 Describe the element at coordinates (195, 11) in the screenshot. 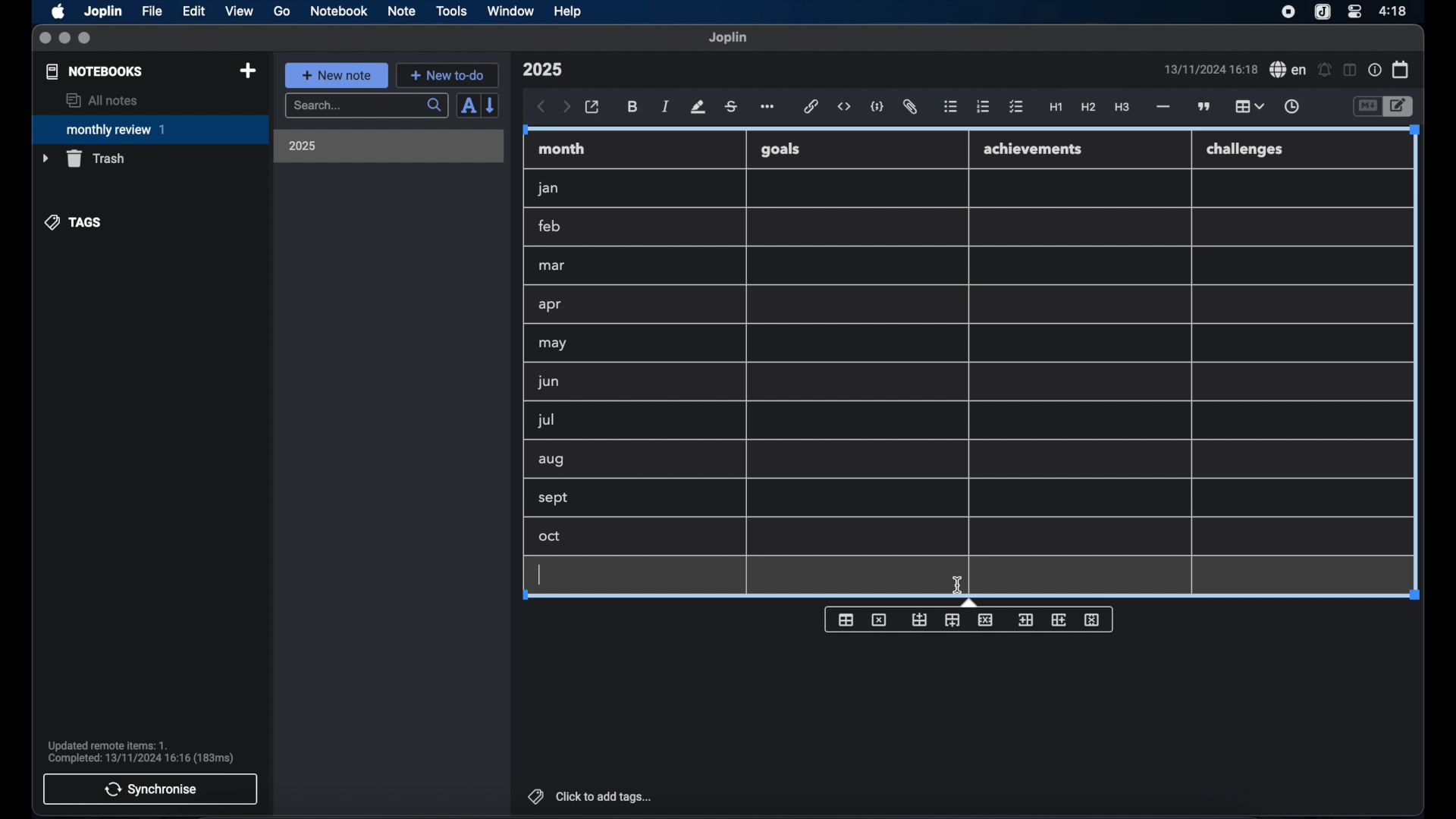

I see `edit` at that location.